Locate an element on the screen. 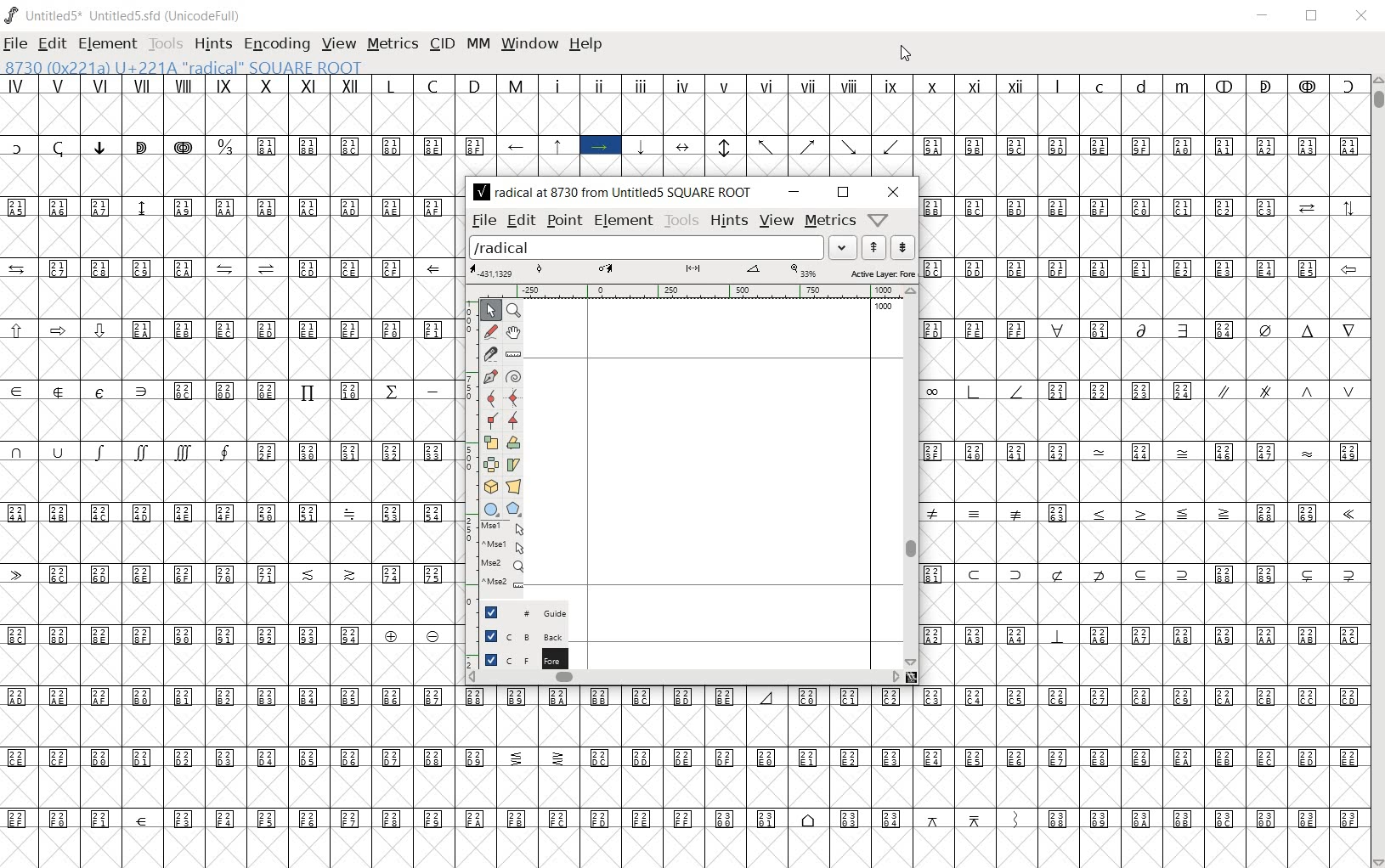 This screenshot has width=1385, height=868. pointer is located at coordinates (492, 308).